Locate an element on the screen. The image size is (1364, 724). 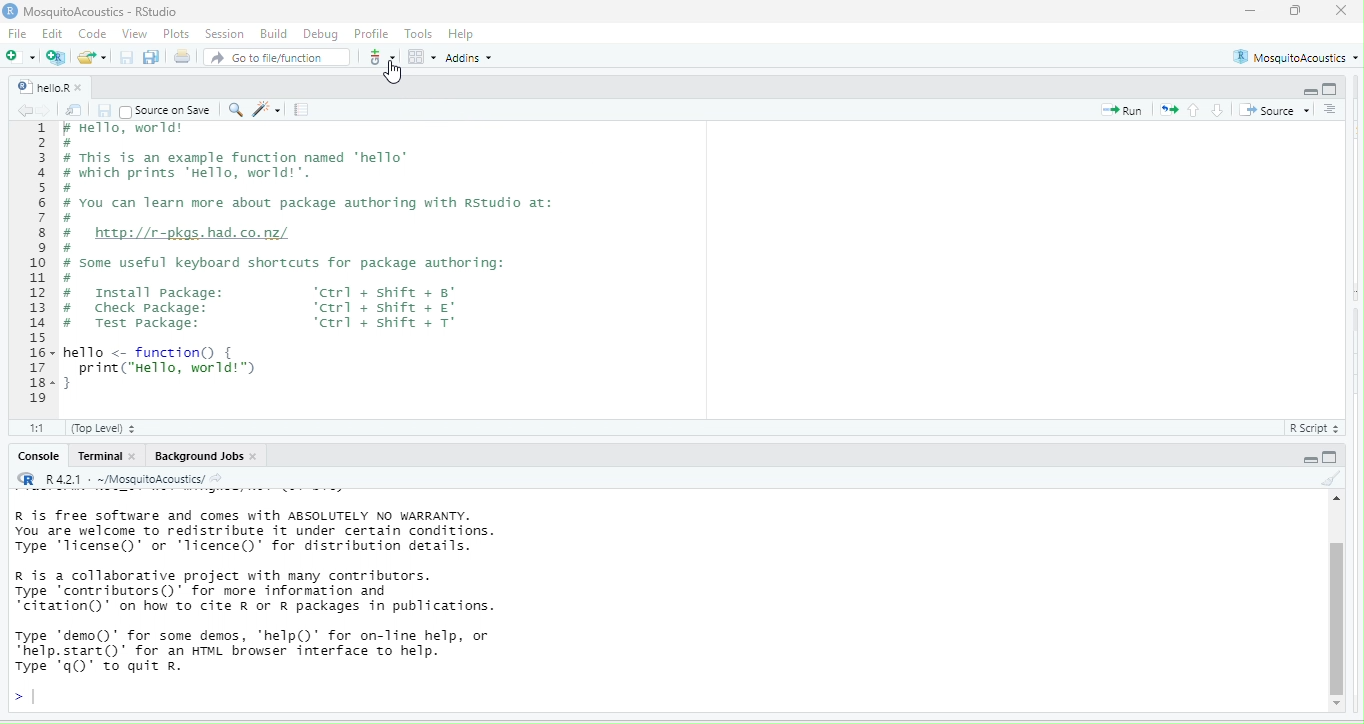
R Script  is located at coordinates (1318, 427).